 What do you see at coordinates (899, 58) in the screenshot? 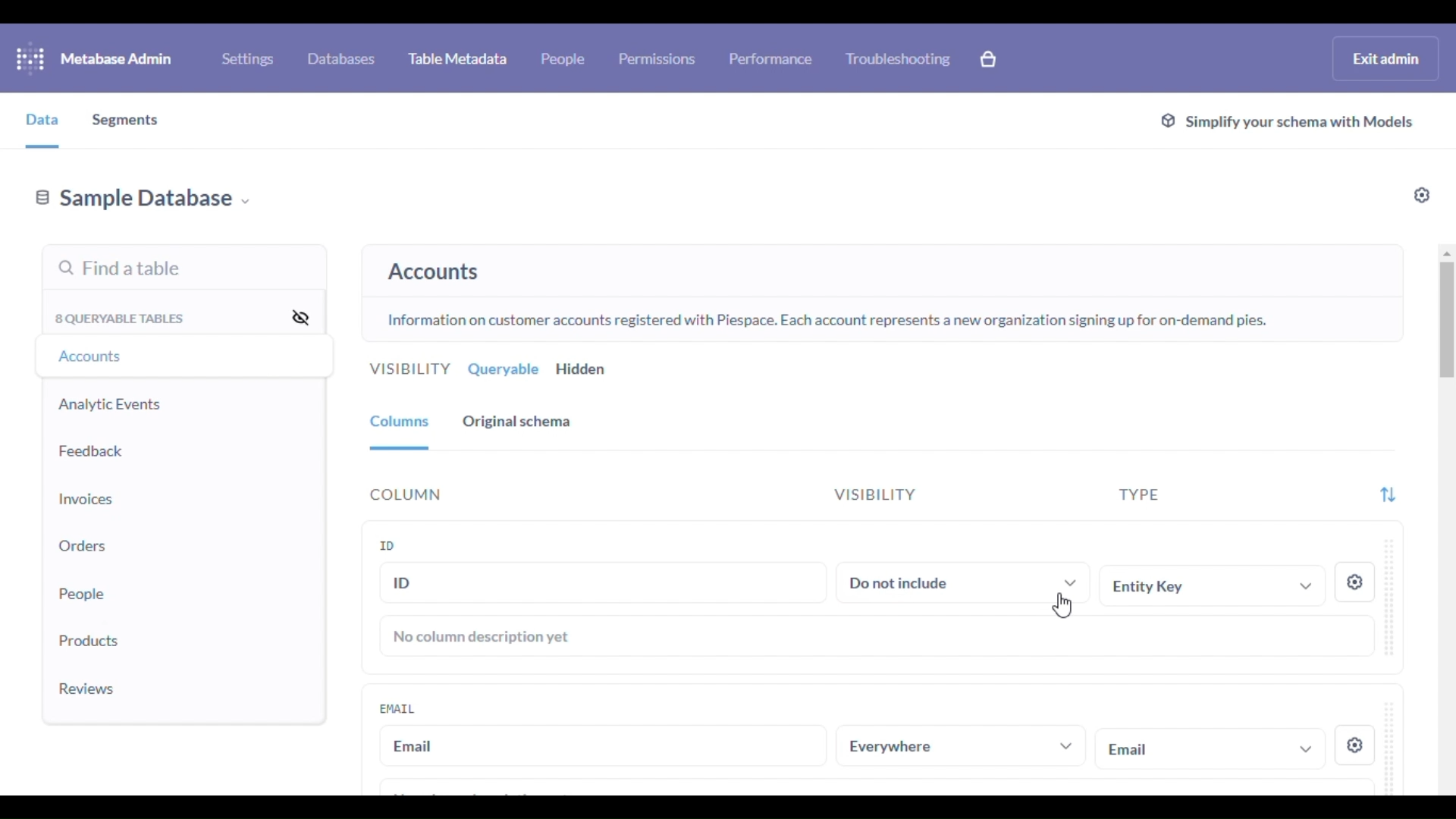
I see `troubleshooting` at bounding box center [899, 58].